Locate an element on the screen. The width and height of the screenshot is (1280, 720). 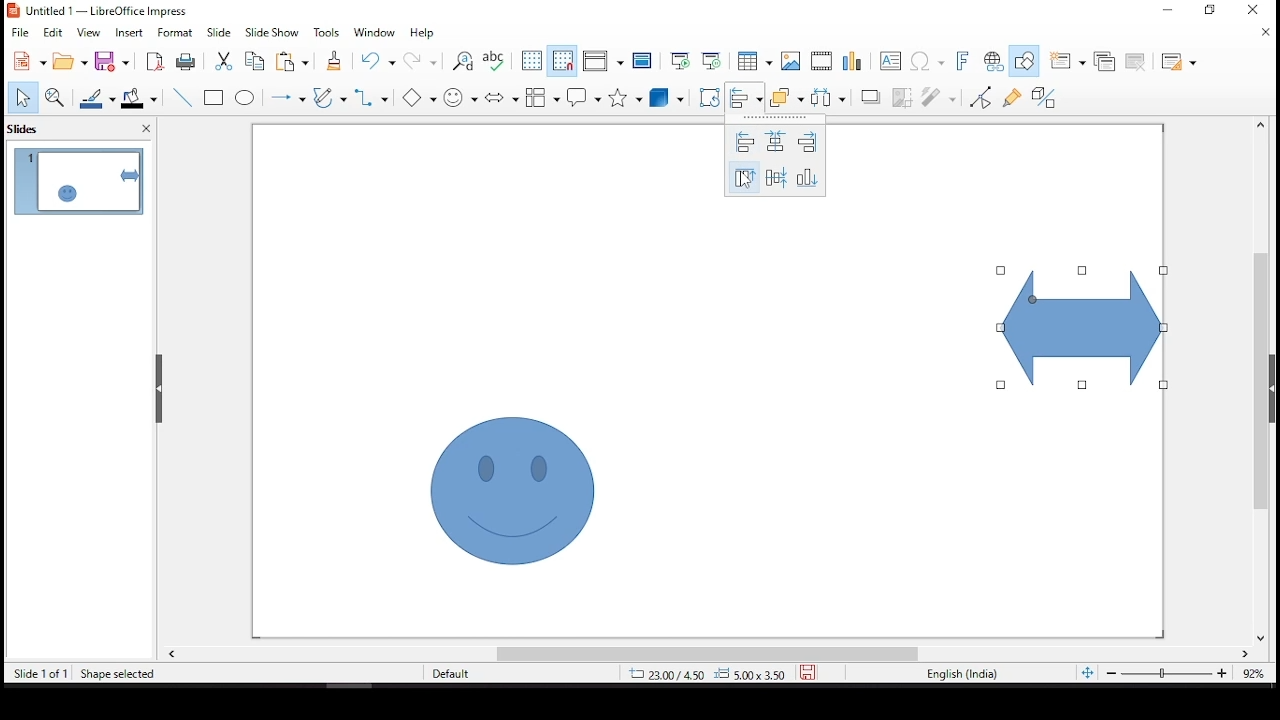
insert is located at coordinates (131, 33).